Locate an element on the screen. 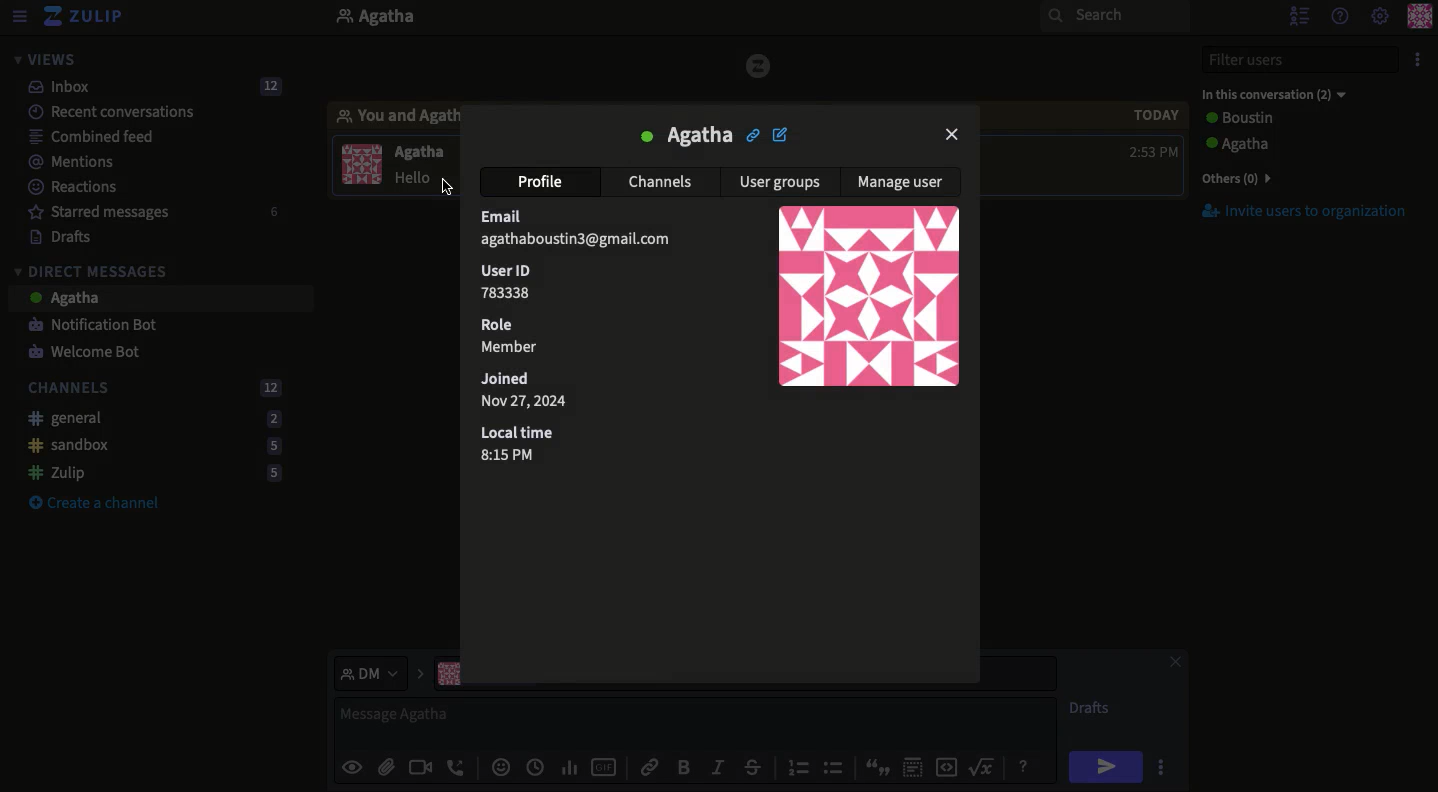 This screenshot has height=792, width=1438. Link is located at coordinates (648, 767).